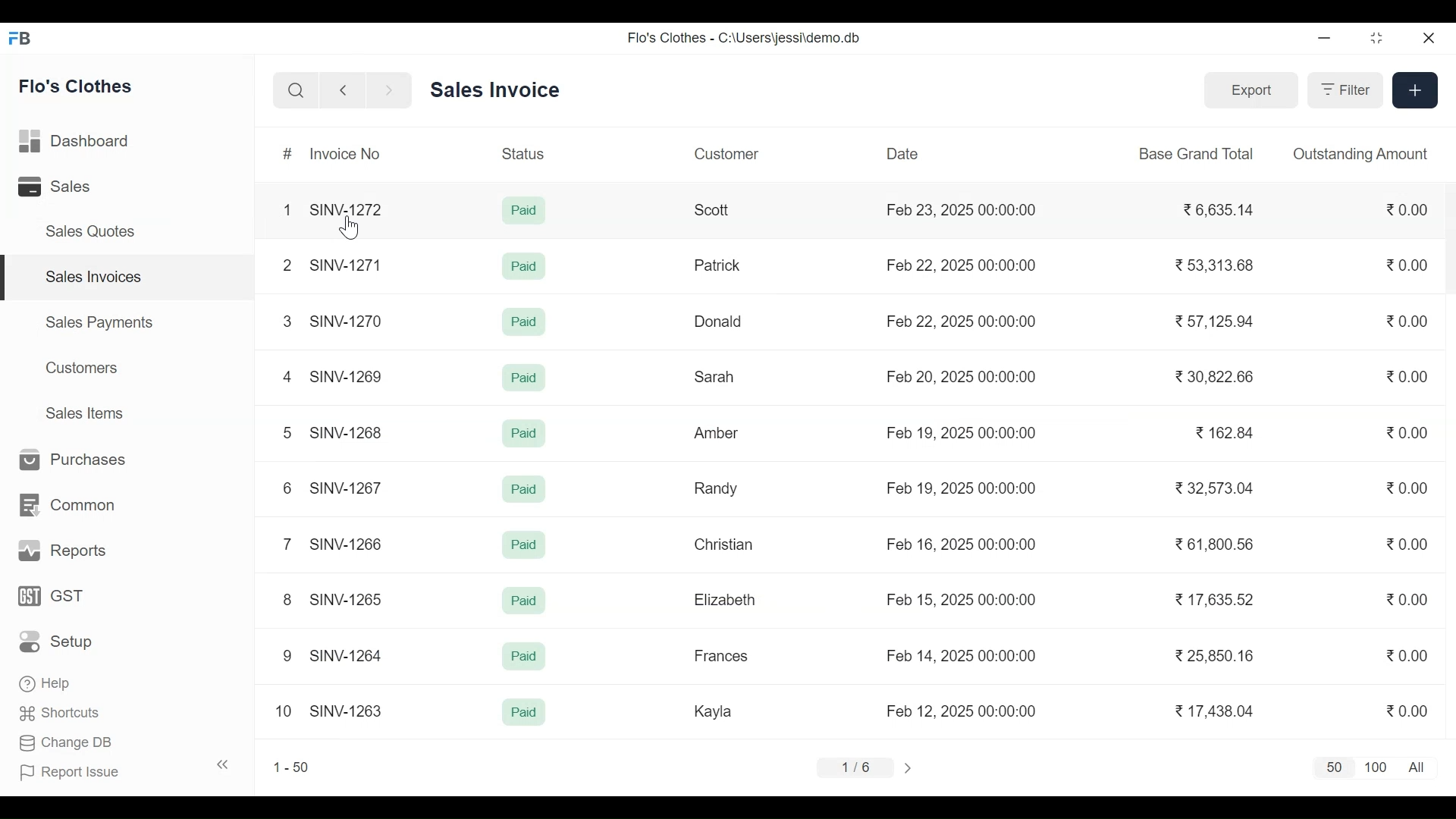  What do you see at coordinates (1216, 655) in the screenshot?
I see `25,850.16` at bounding box center [1216, 655].